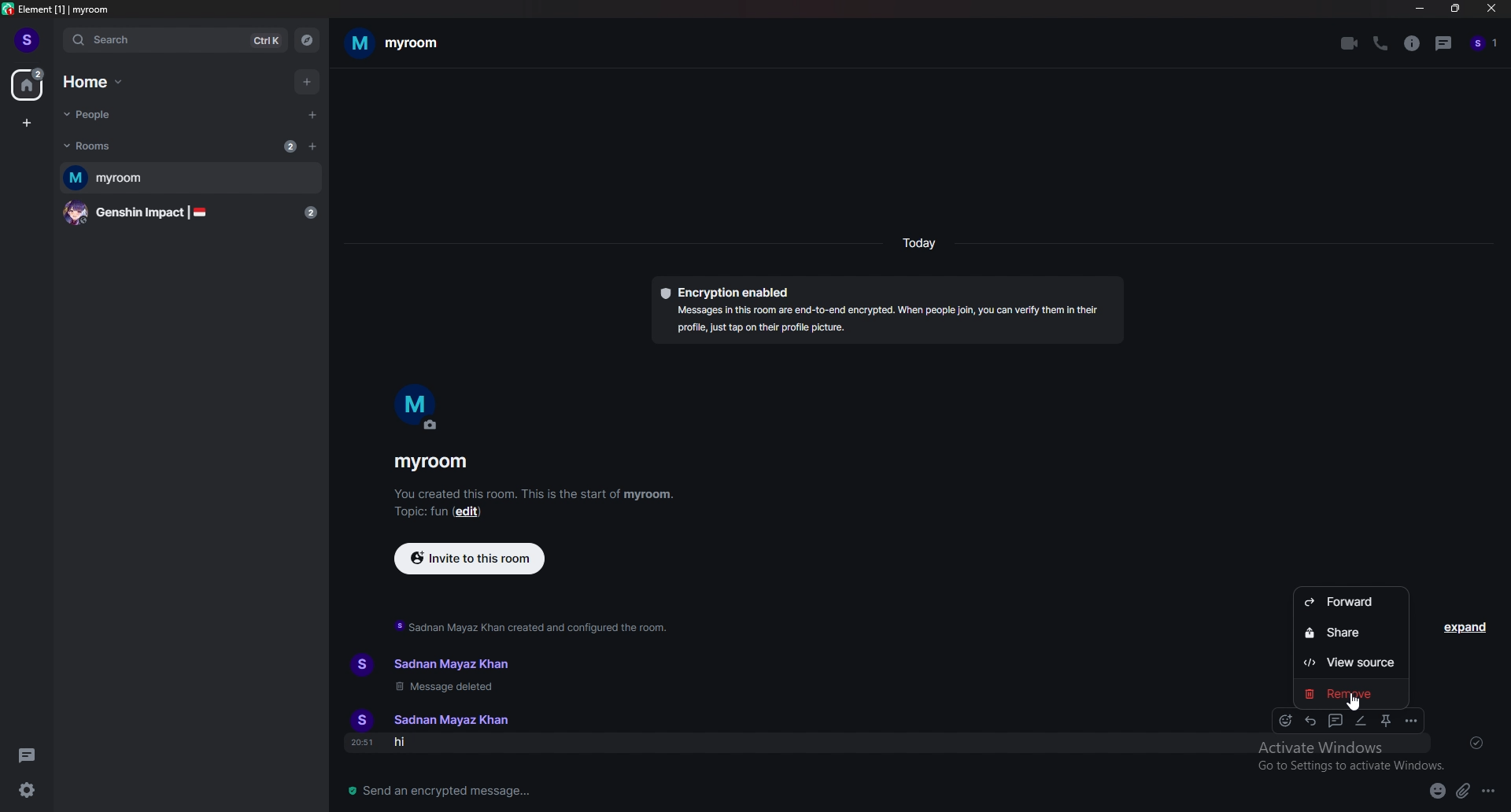 The image size is (1511, 812). I want to click on info, so click(1413, 44).